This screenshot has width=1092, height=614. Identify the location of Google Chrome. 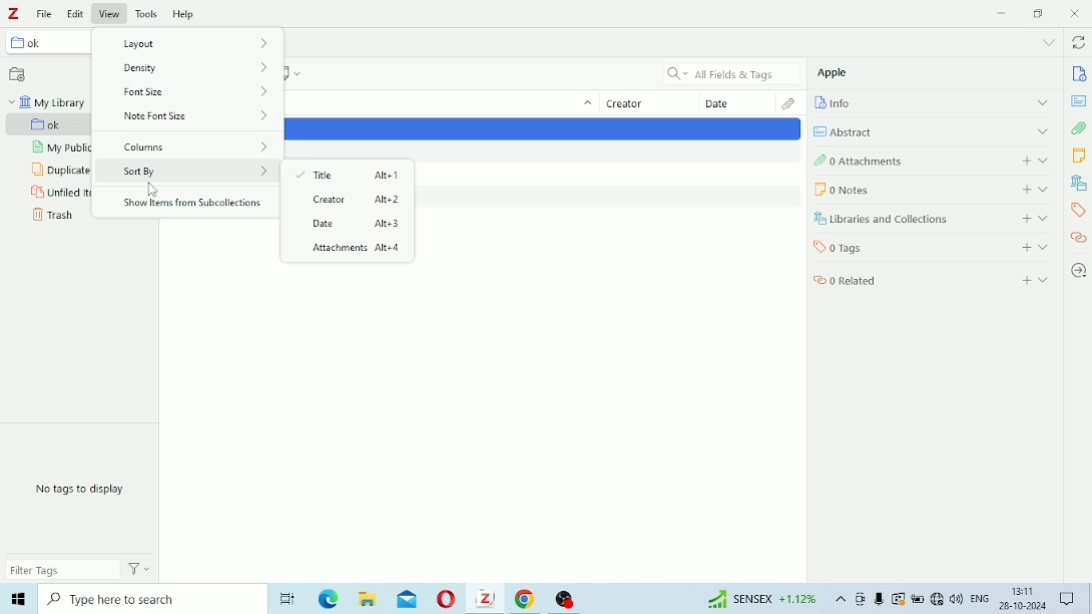
(526, 600).